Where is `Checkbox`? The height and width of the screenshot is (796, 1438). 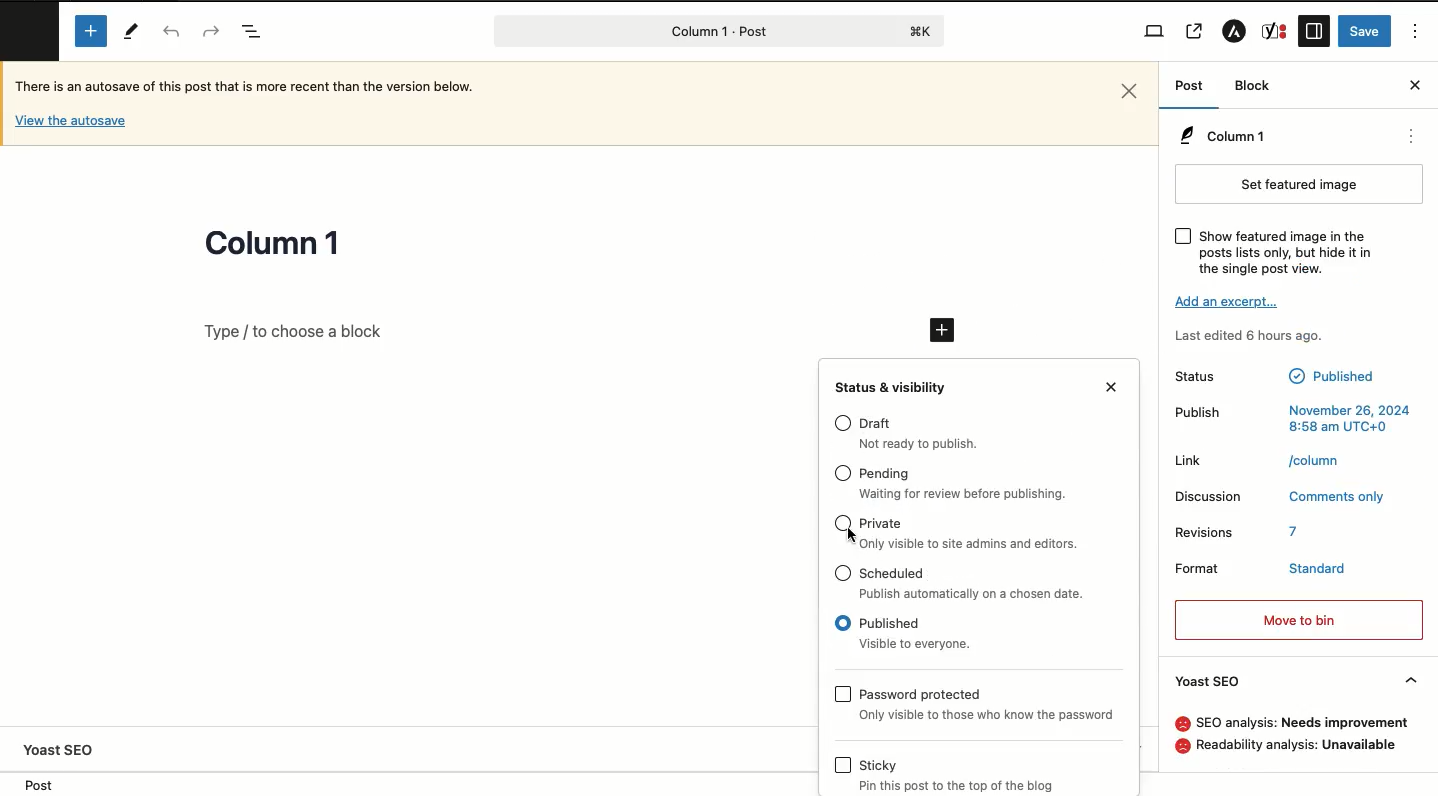 Checkbox is located at coordinates (842, 694).